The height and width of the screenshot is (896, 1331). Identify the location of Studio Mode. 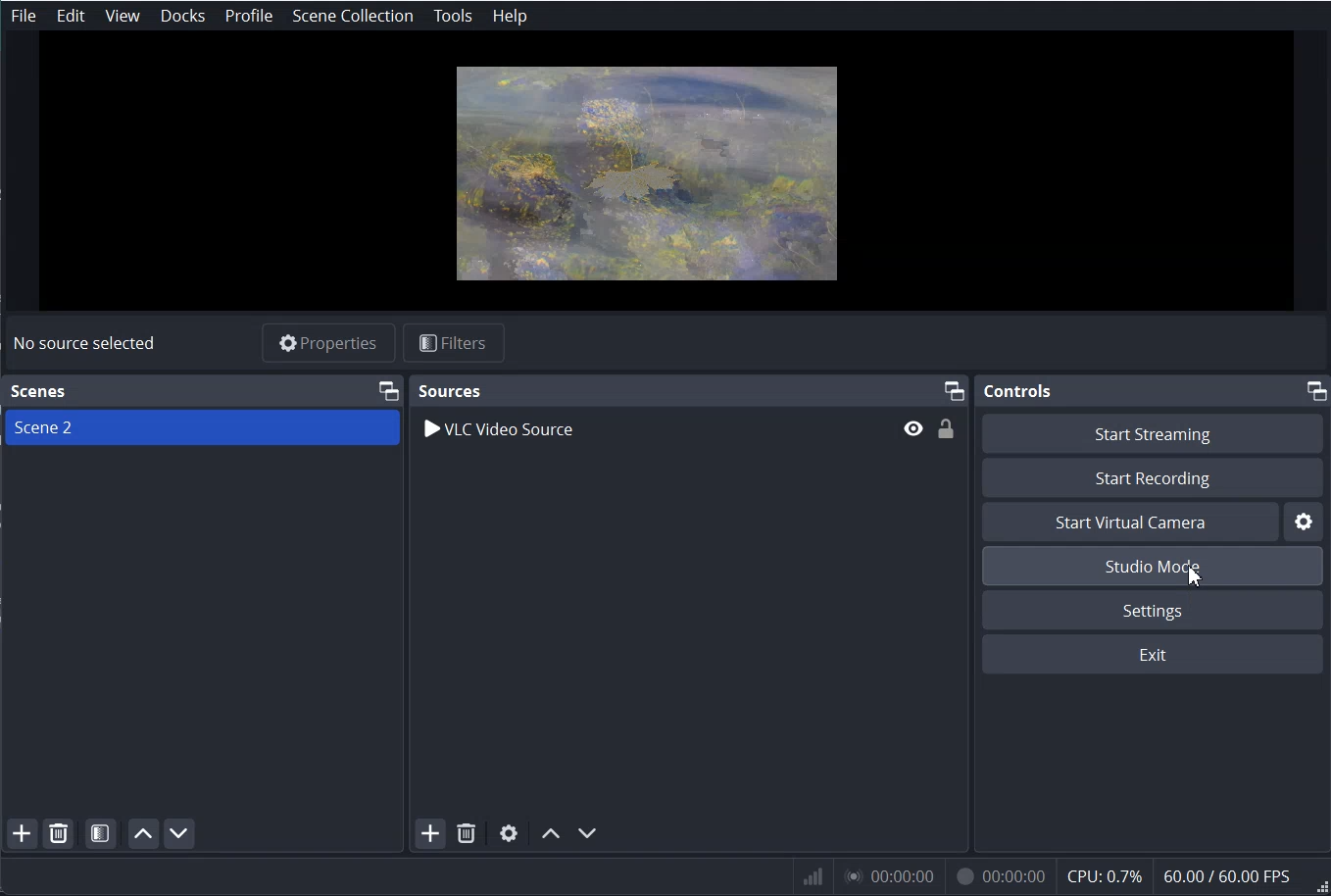
(1156, 565).